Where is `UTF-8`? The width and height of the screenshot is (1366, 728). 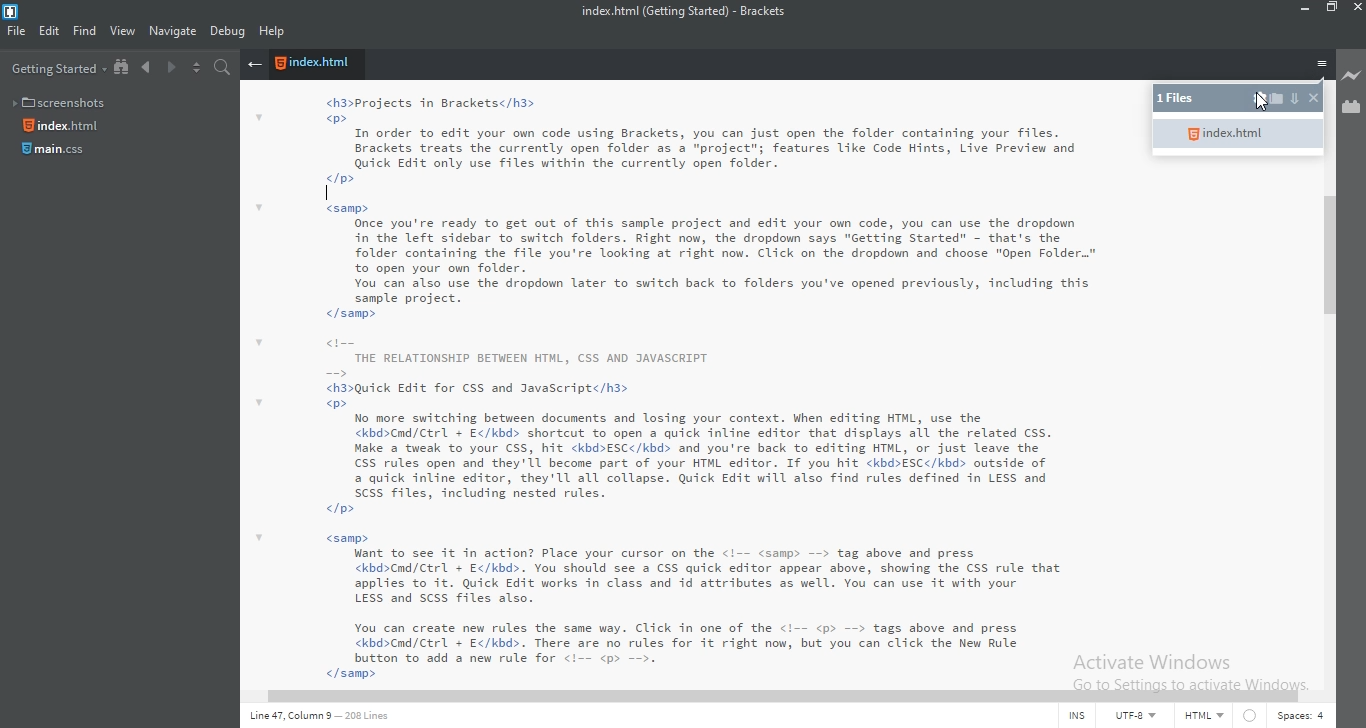
UTF-8 is located at coordinates (1137, 716).